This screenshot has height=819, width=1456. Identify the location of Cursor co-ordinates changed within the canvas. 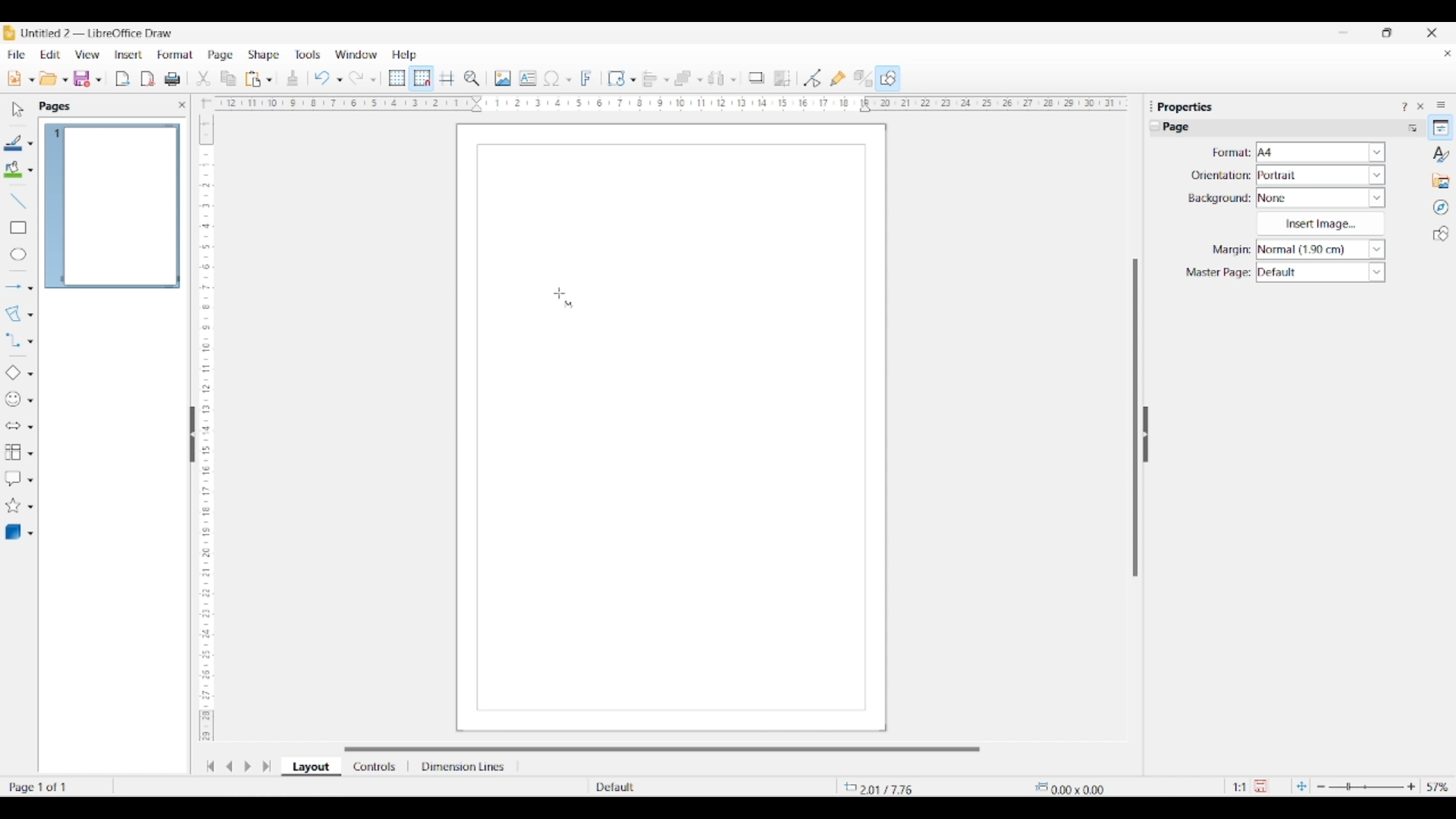
(892, 786).